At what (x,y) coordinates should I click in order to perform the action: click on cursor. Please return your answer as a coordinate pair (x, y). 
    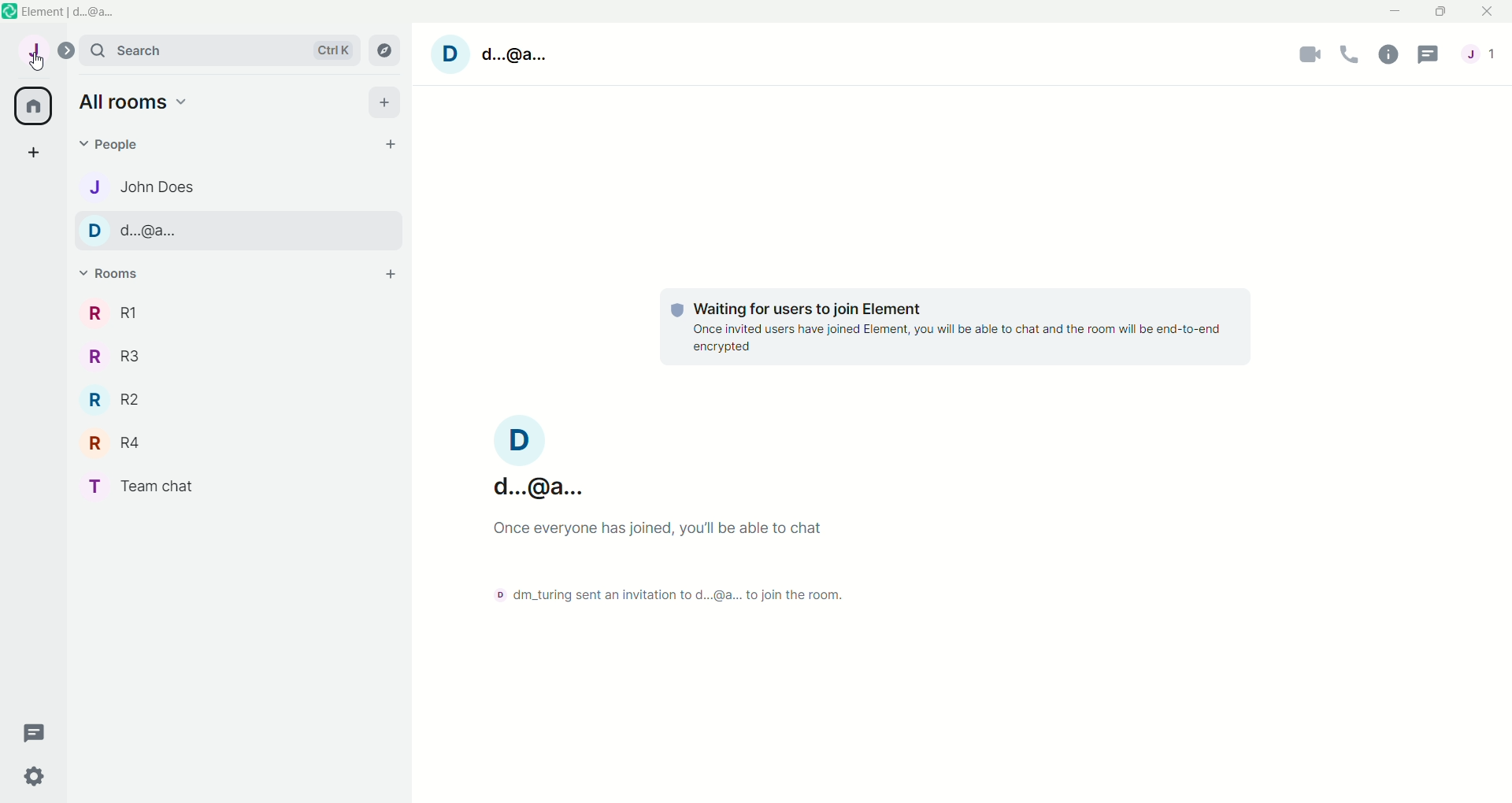
    Looking at the image, I should click on (38, 62).